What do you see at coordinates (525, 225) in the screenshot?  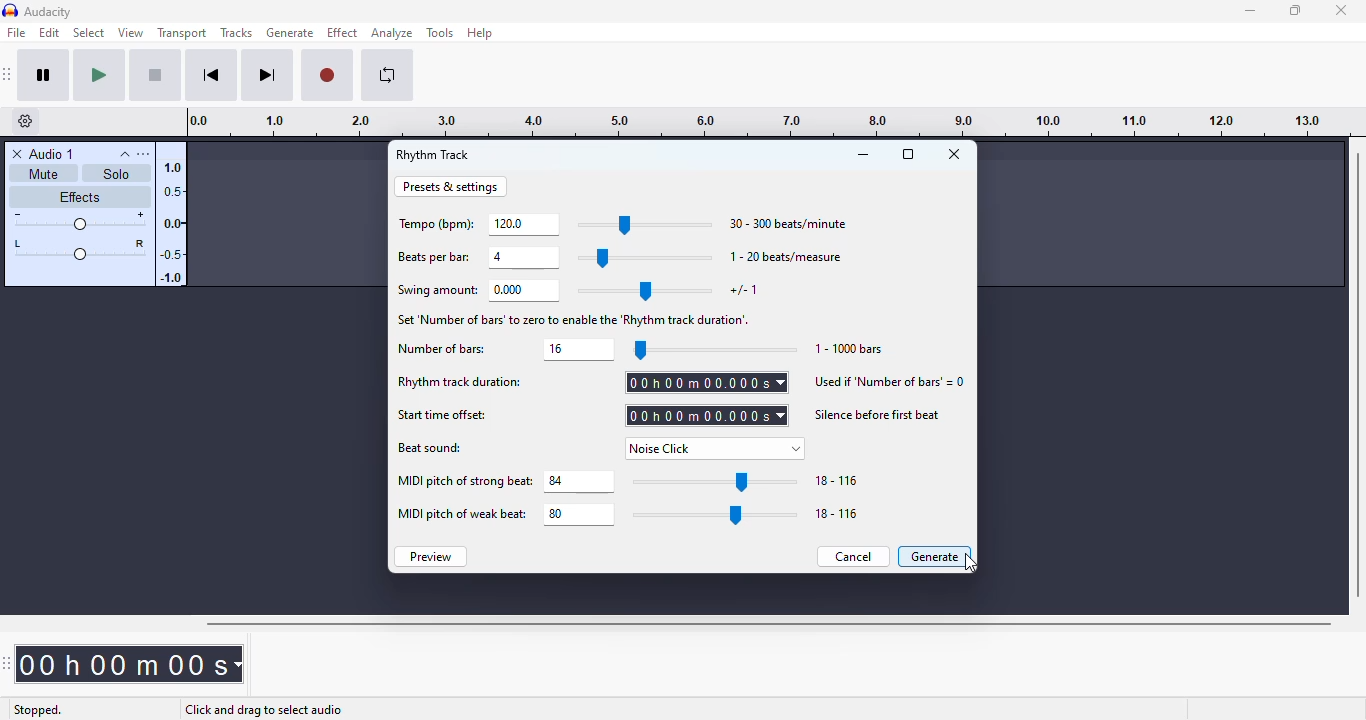 I see `set tempo (bpm)` at bounding box center [525, 225].